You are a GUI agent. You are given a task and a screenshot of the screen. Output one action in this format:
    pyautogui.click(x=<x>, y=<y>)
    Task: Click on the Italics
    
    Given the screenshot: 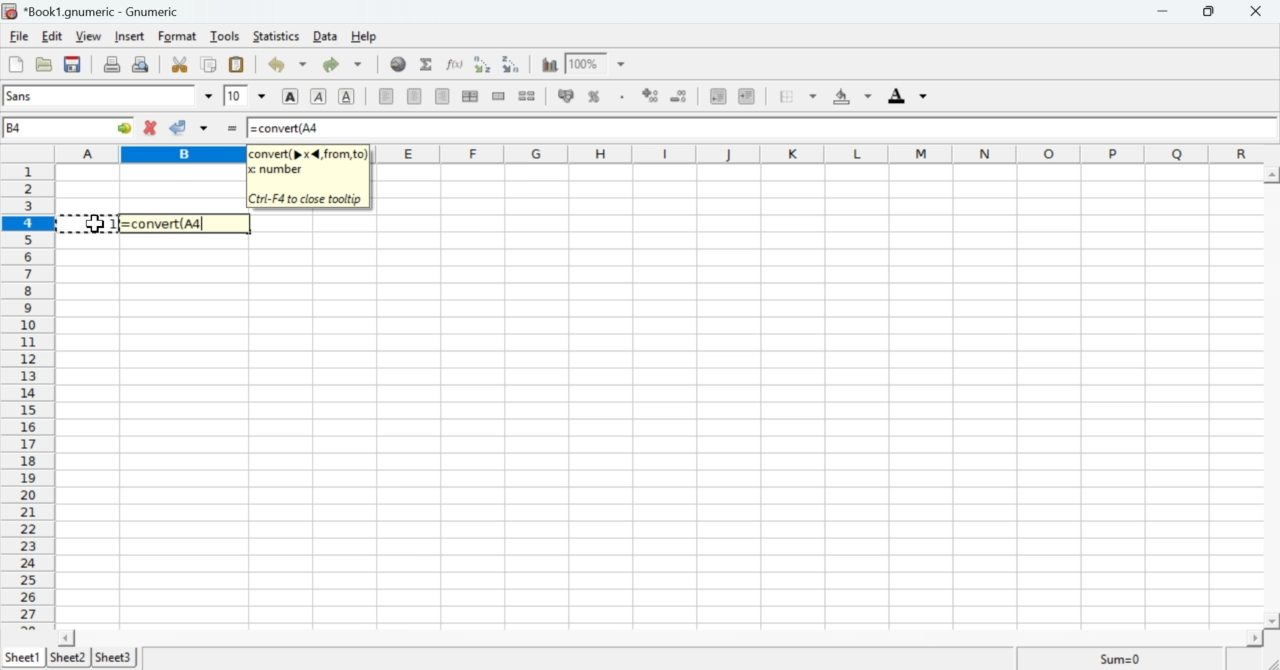 What is the action you would take?
    pyautogui.click(x=320, y=97)
    